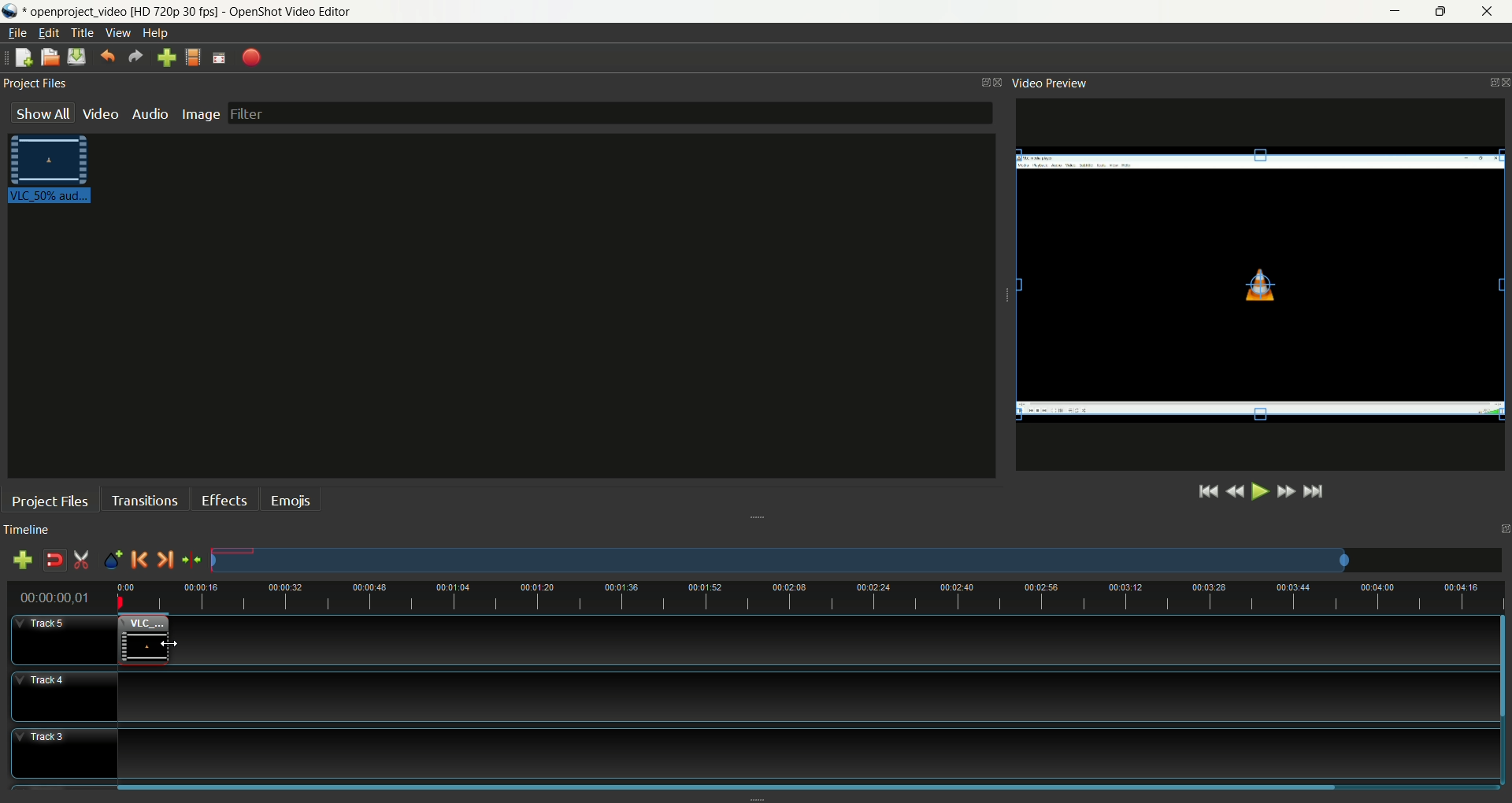 The height and width of the screenshot is (803, 1512). I want to click on project files, so click(39, 85).